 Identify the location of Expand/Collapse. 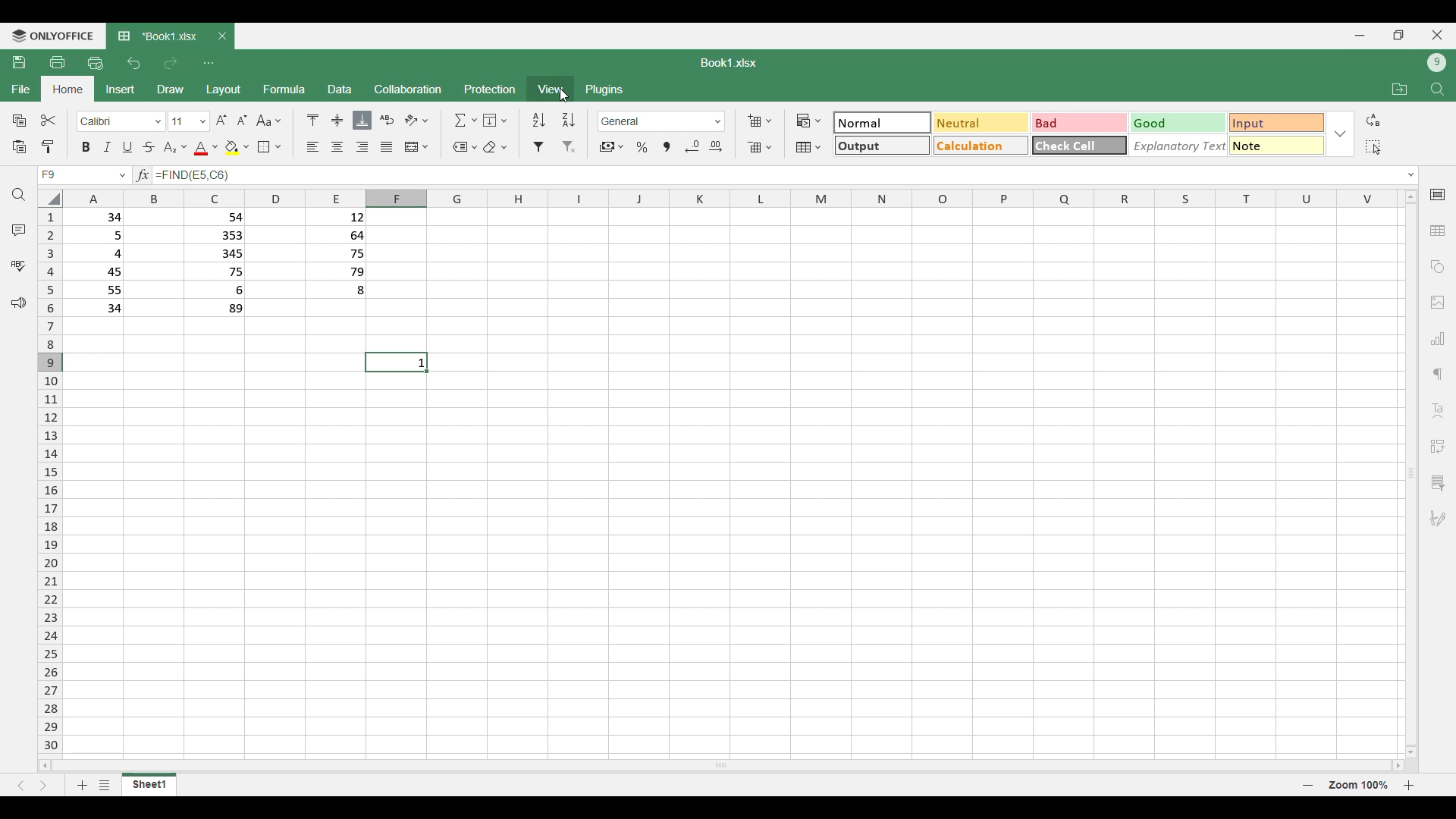
(1340, 135).